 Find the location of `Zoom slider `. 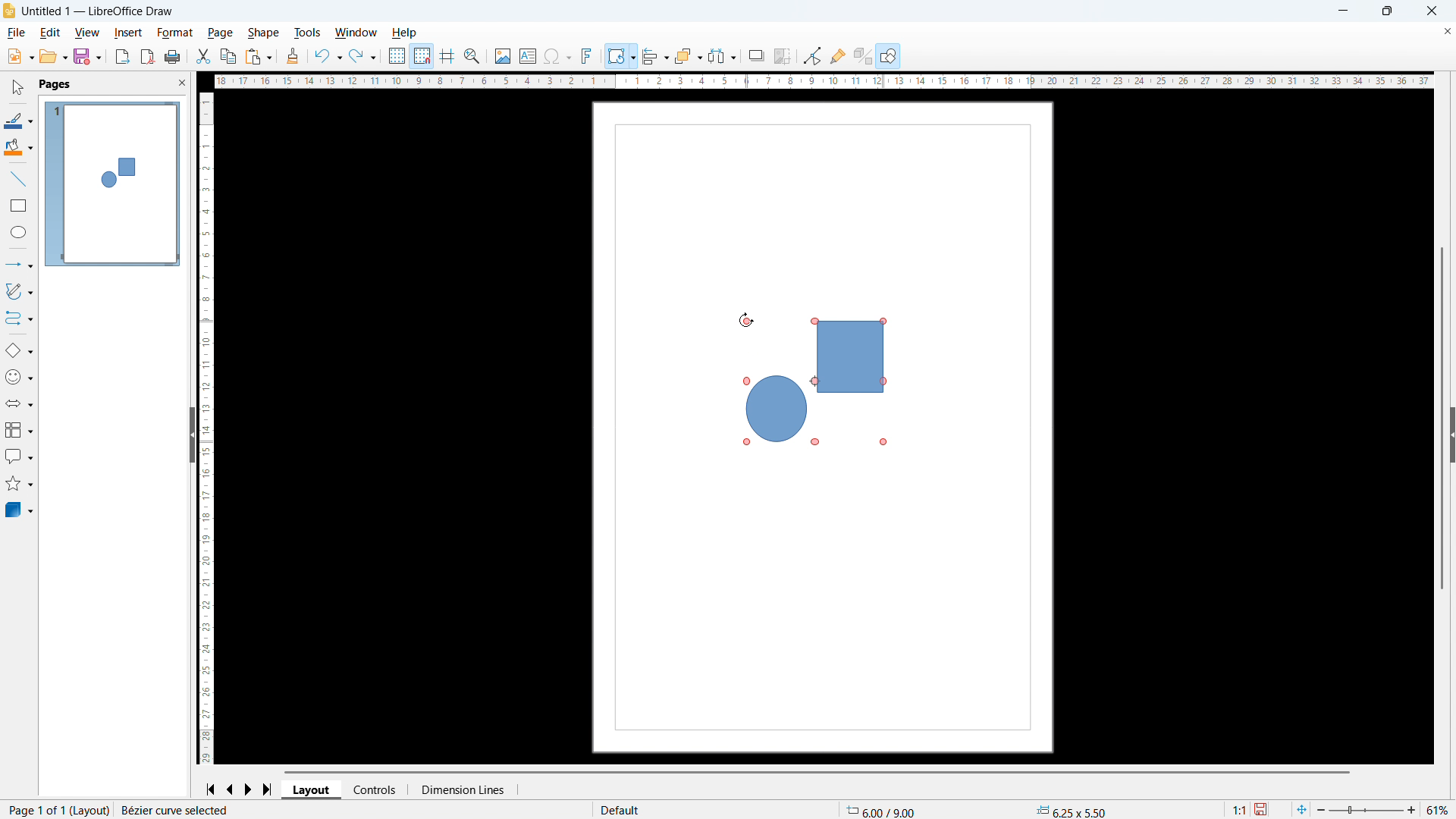

Zoom slider  is located at coordinates (1365, 809).